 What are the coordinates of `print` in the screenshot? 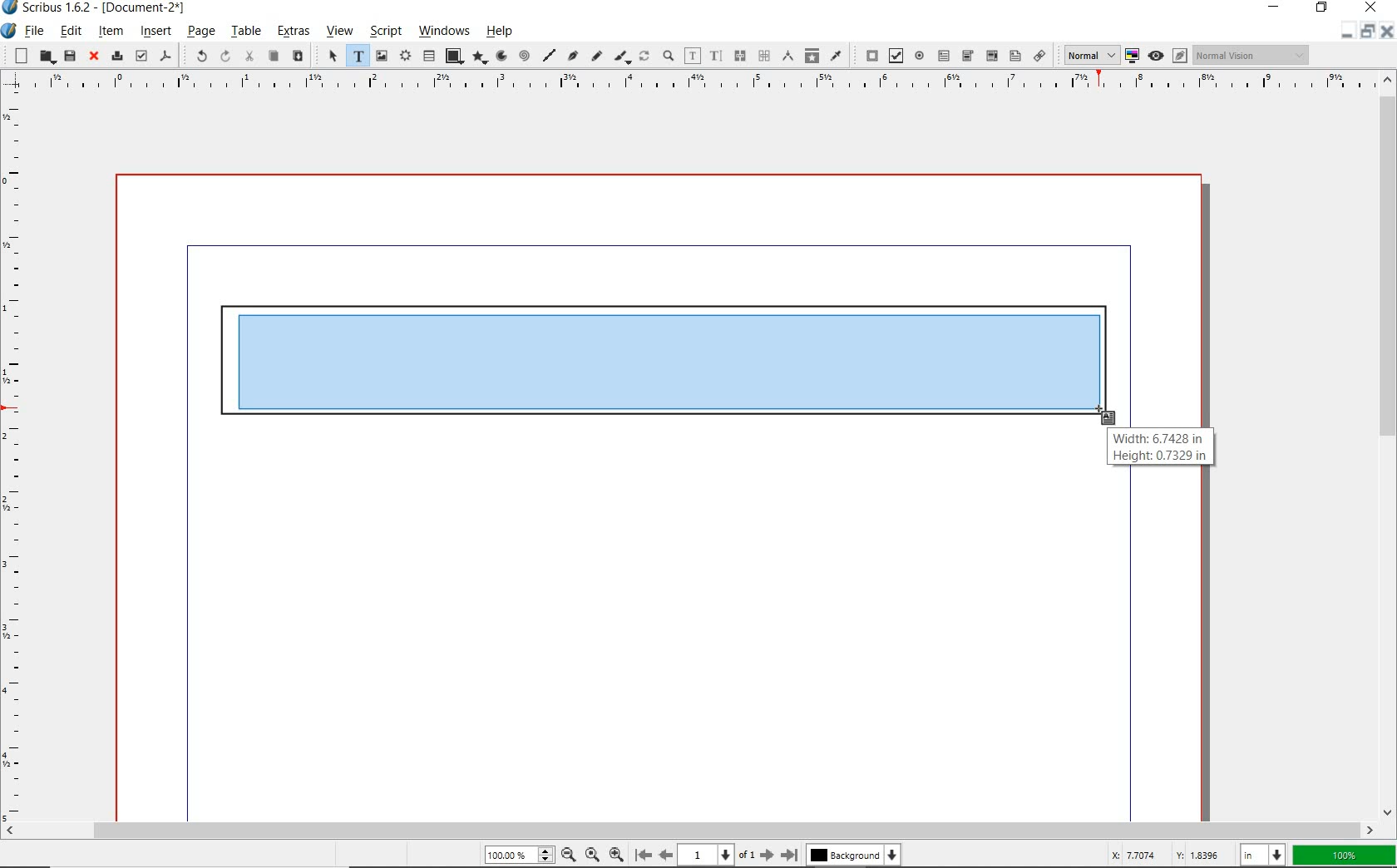 It's located at (116, 56).